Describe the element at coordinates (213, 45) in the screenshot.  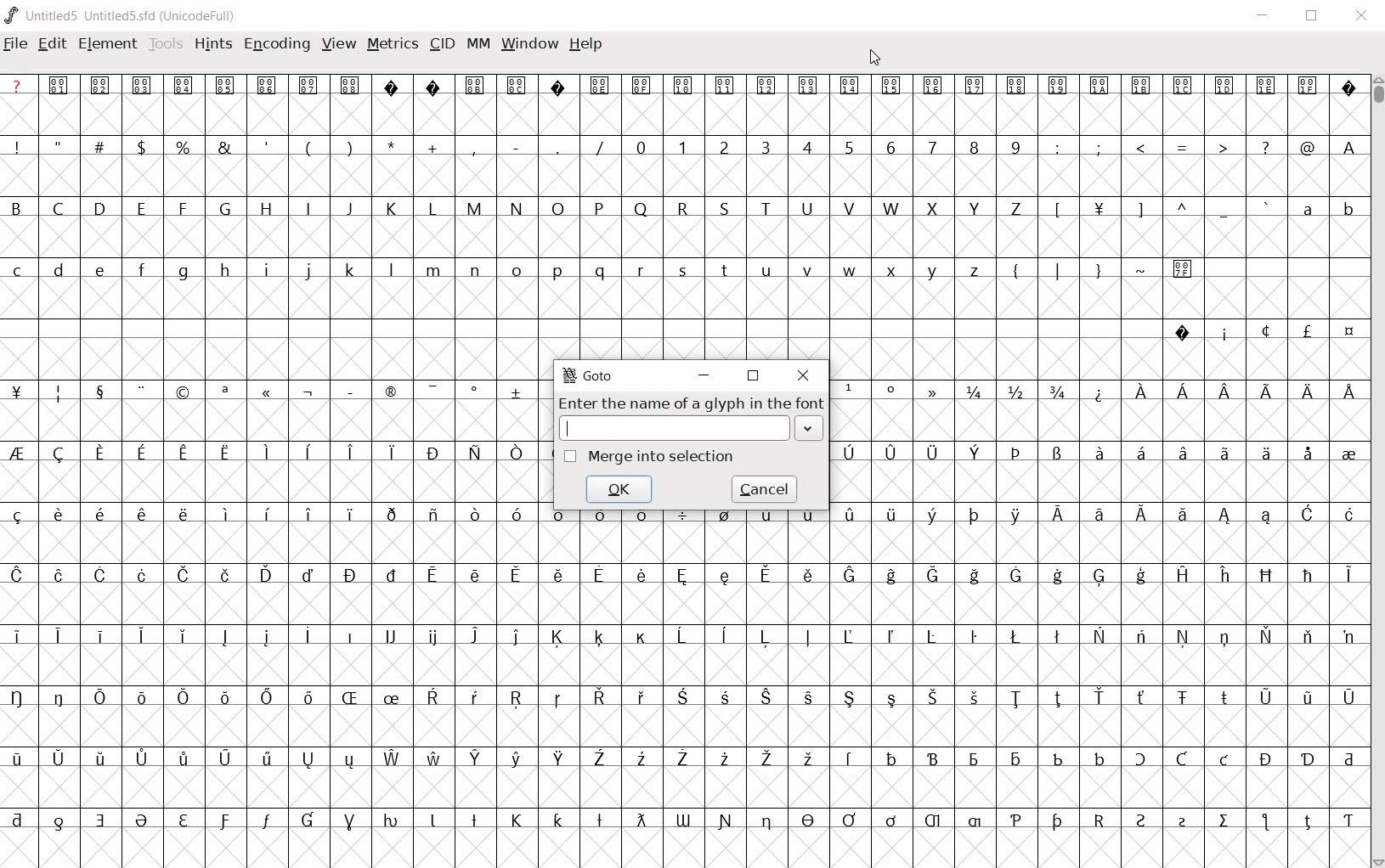
I see `HINTS` at that location.